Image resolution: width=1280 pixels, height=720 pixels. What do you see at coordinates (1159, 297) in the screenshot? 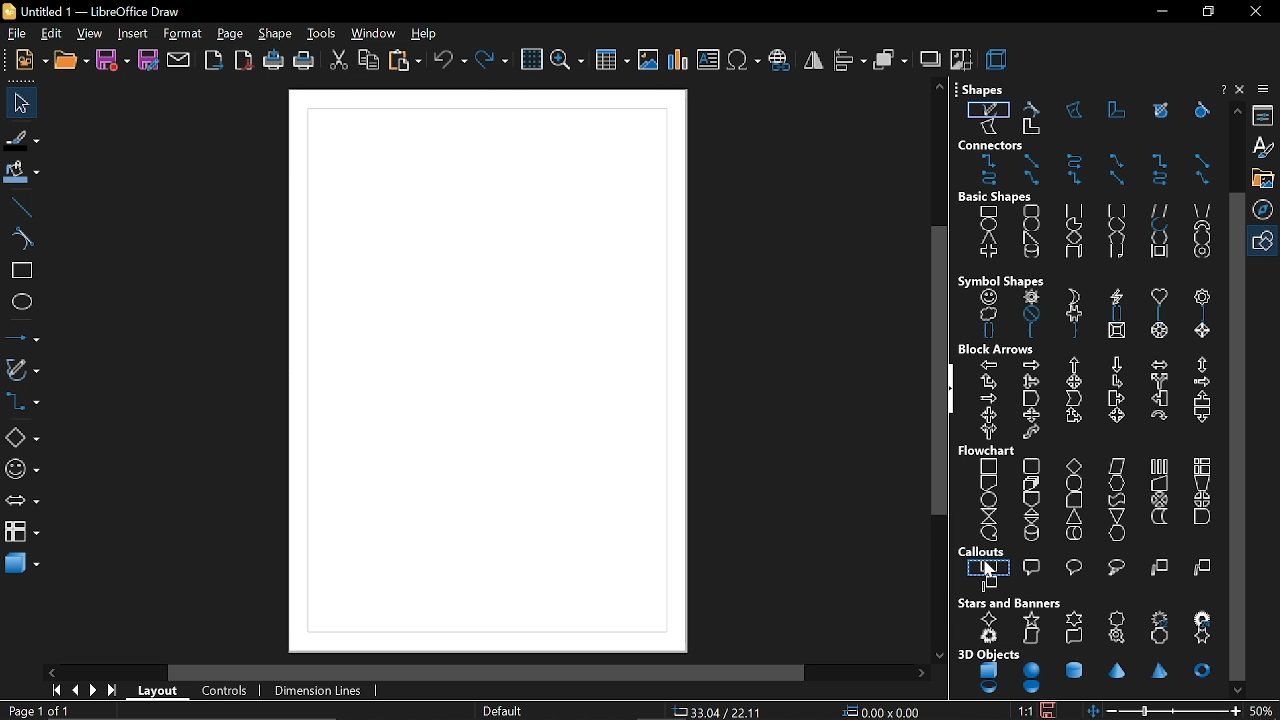
I see `heart` at bounding box center [1159, 297].